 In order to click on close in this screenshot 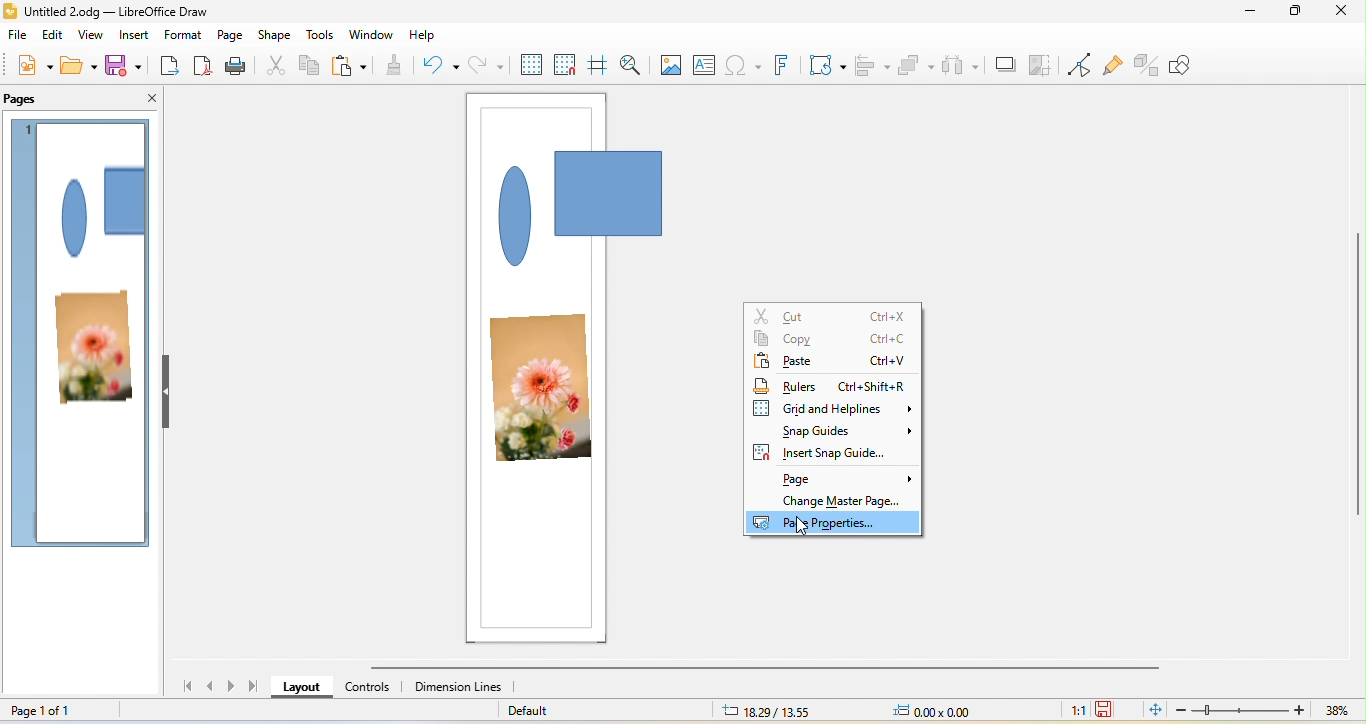, I will do `click(147, 99)`.